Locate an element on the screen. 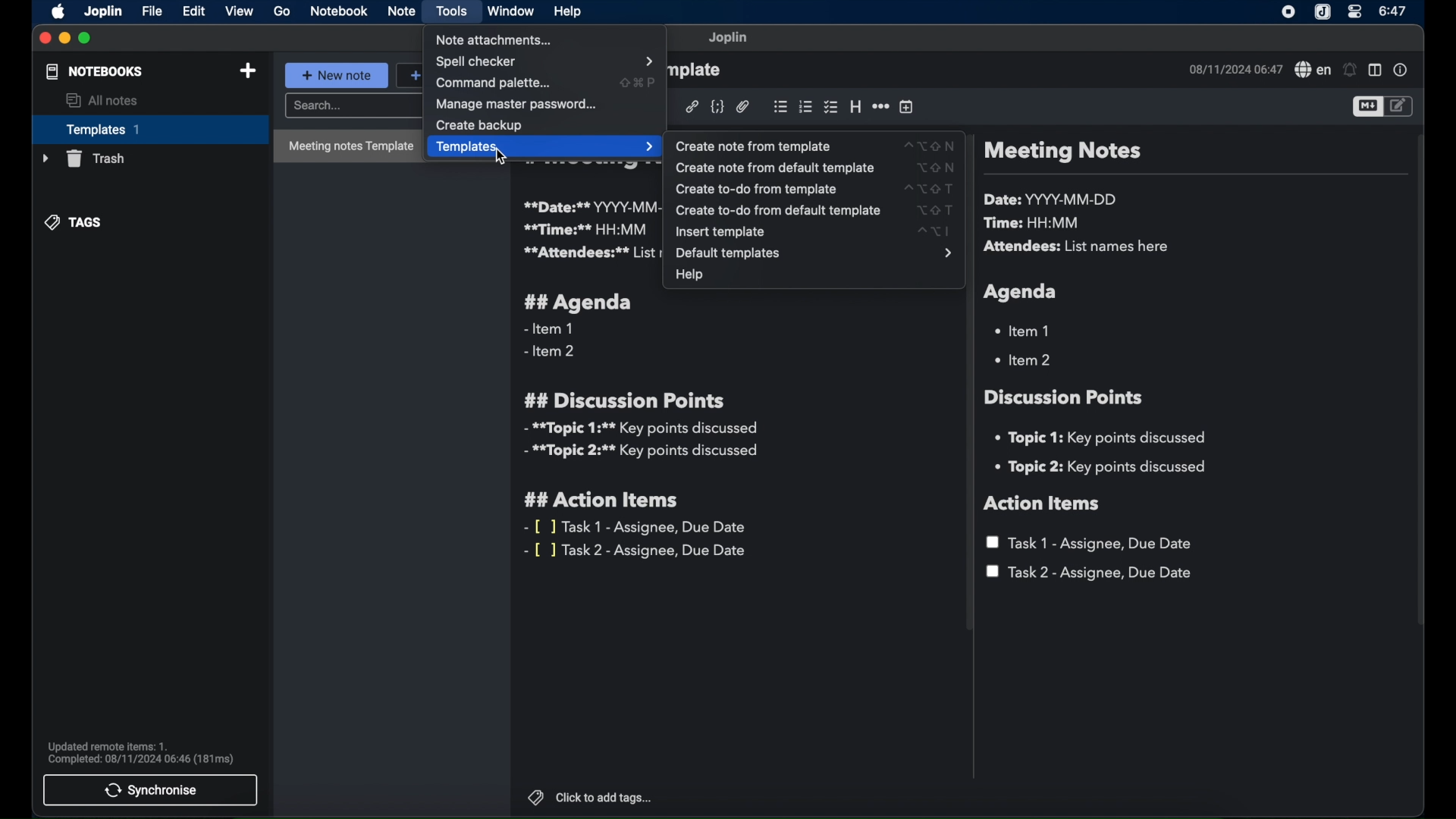 Image resolution: width=1456 pixels, height=819 pixels. toggle editor layout is located at coordinates (1375, 71).